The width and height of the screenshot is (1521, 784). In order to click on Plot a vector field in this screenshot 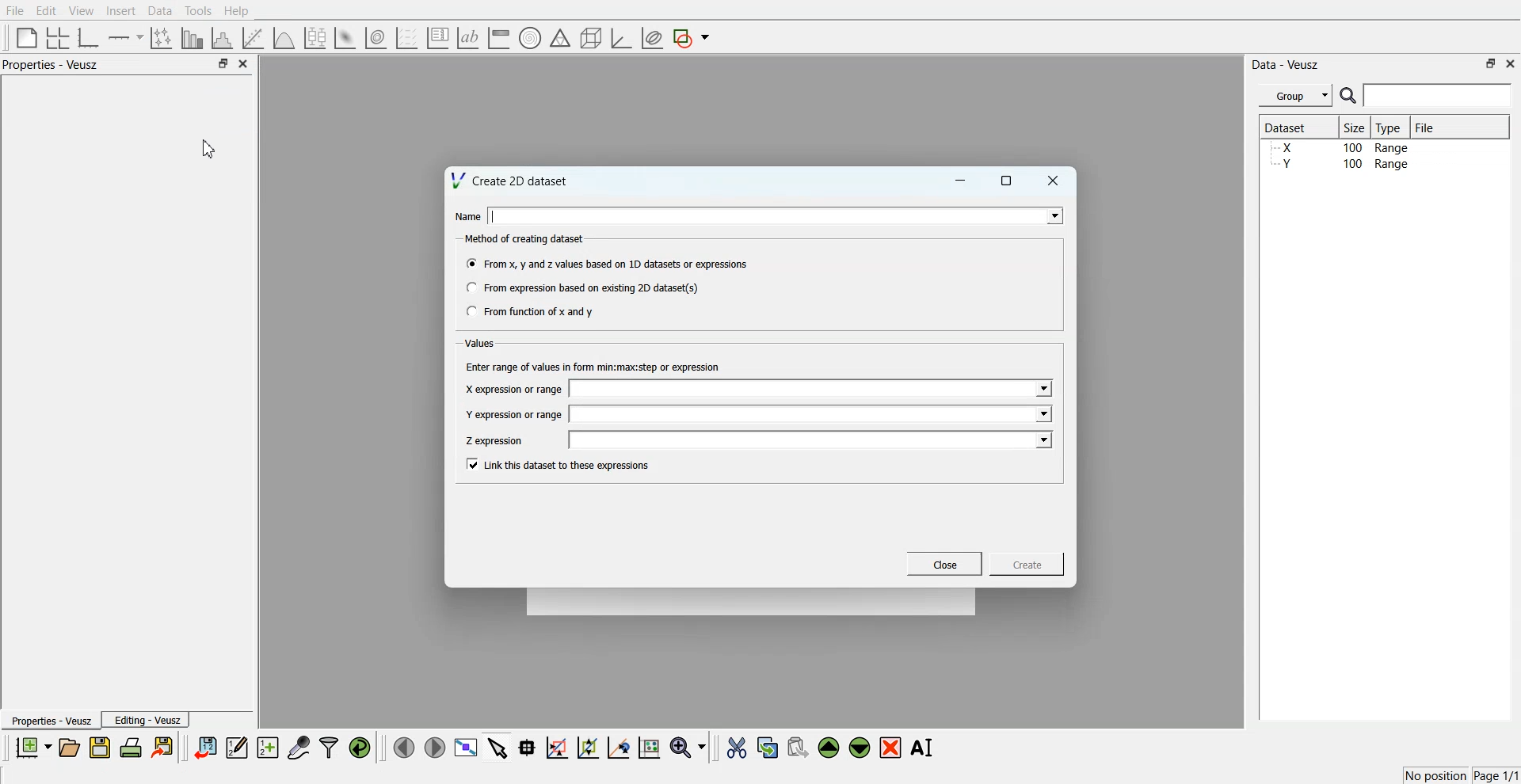, I will do `click(406, 39)`.